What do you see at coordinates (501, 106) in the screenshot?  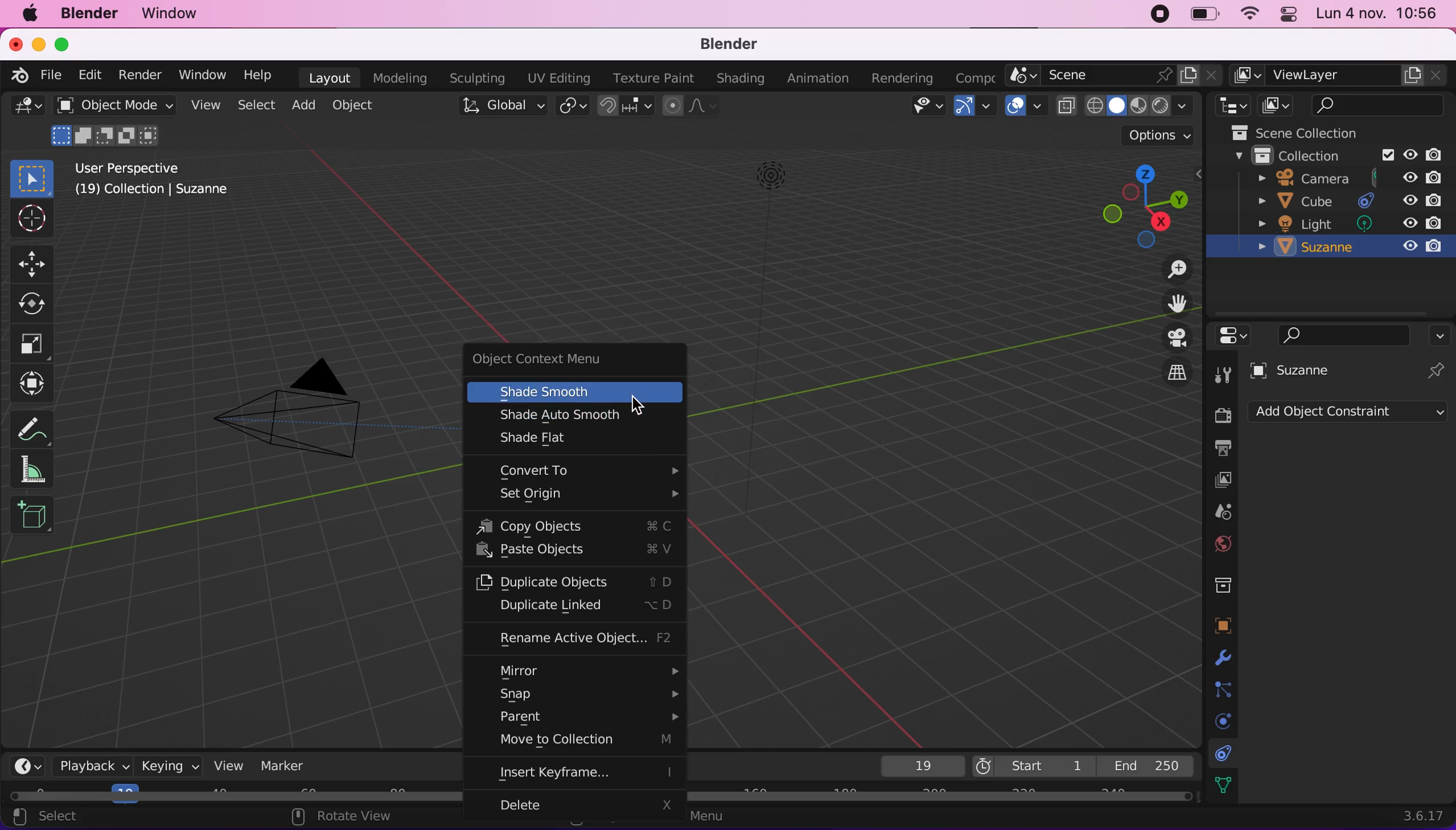 I see `transformation orientation` at bounding box center [501, 106].